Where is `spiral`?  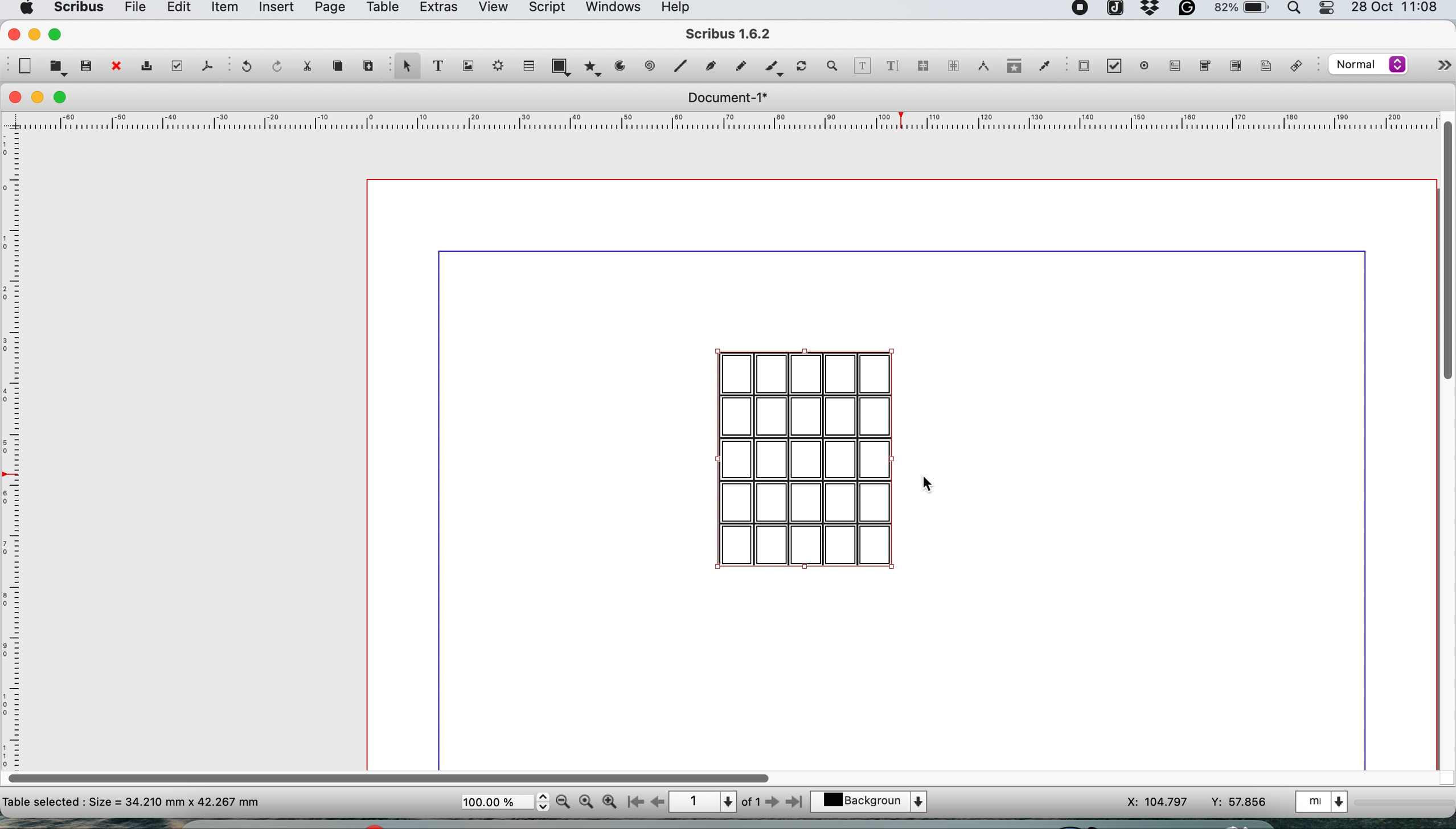
spiral is located at coordinates (651, 65).